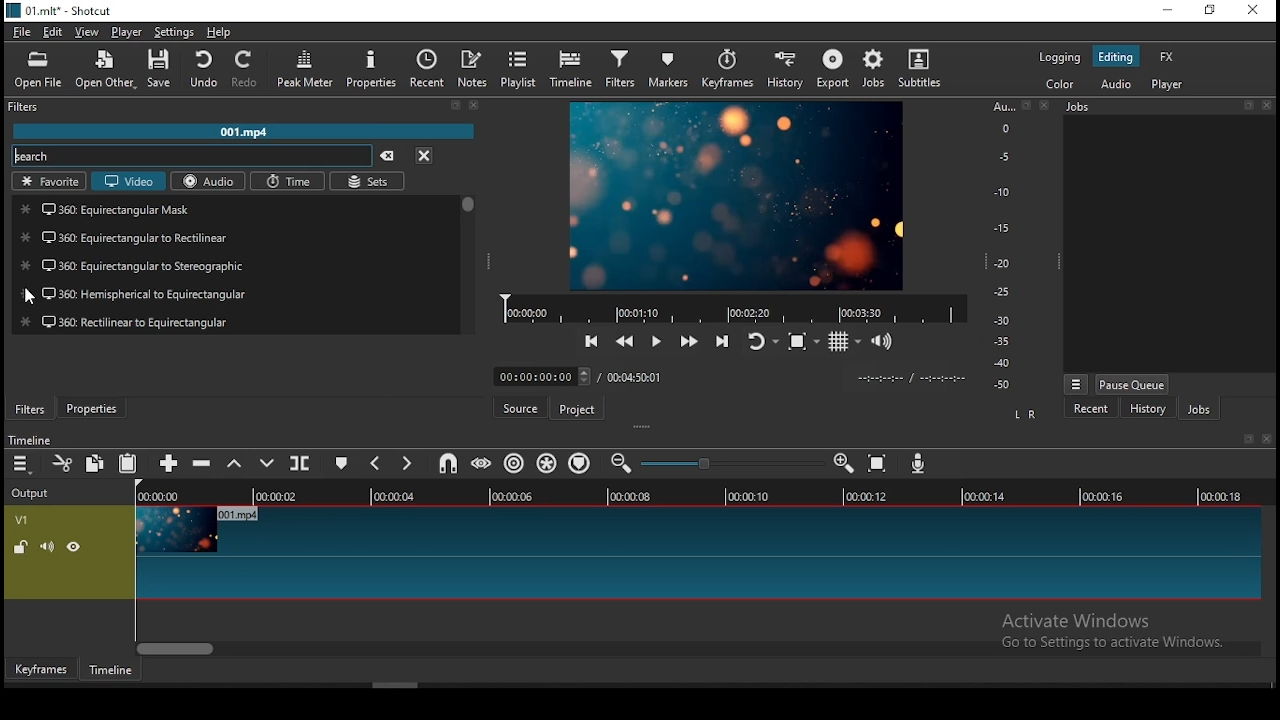 The image size is (1280, 720). Describe the element at coordinates (62, 462) in the screenshot. I see `cut` at that location.